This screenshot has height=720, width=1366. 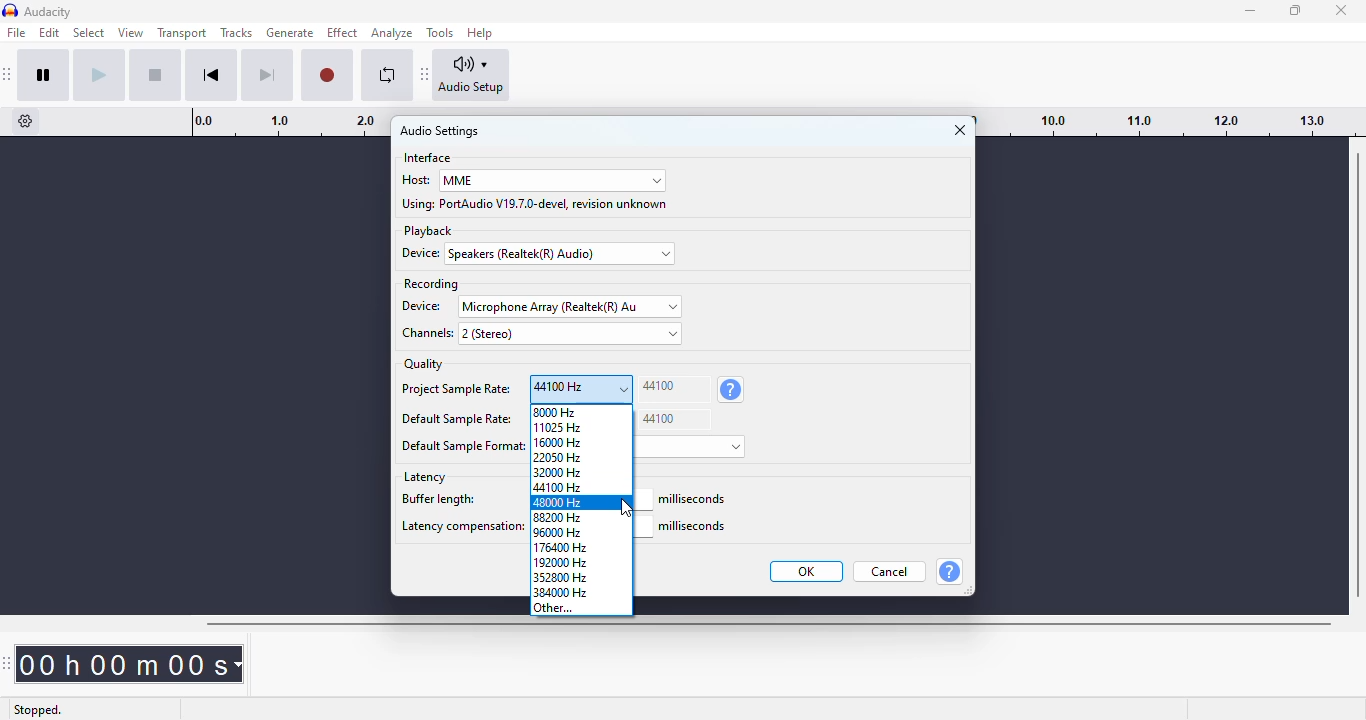 I want to click on select device, so click(x=562, y=254).